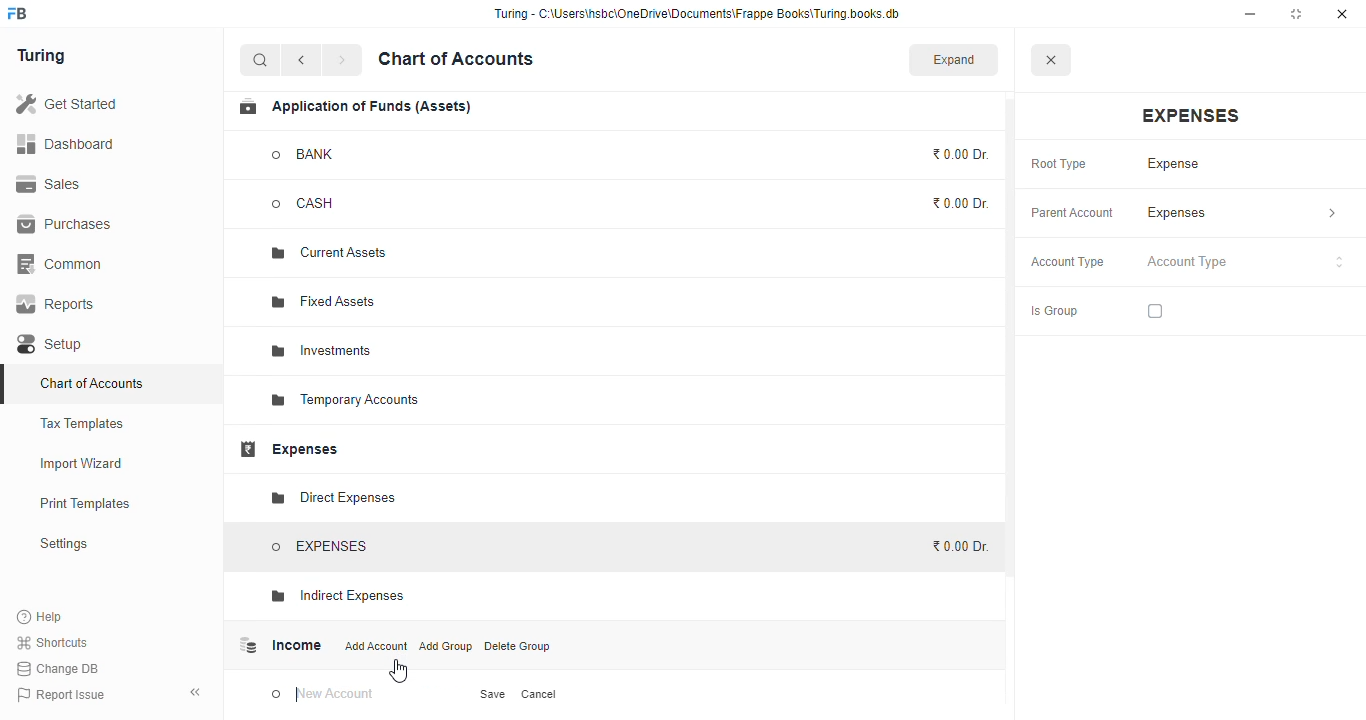 The image size is (1366, 720). Describe the element at coordinates (40, 616) in the screenshot. I see `help` at that location.